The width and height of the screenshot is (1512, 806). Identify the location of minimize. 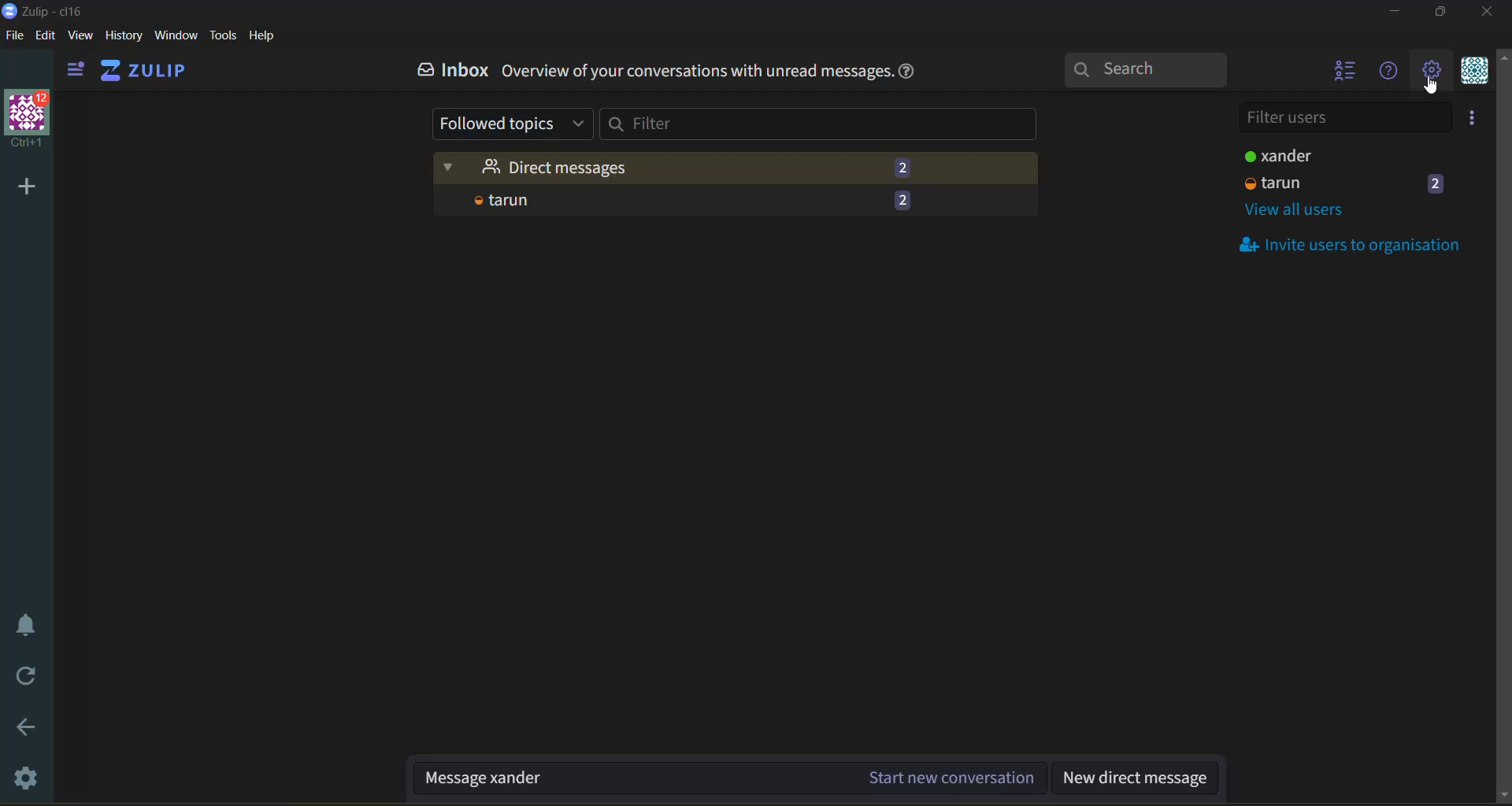
(1397, 14).